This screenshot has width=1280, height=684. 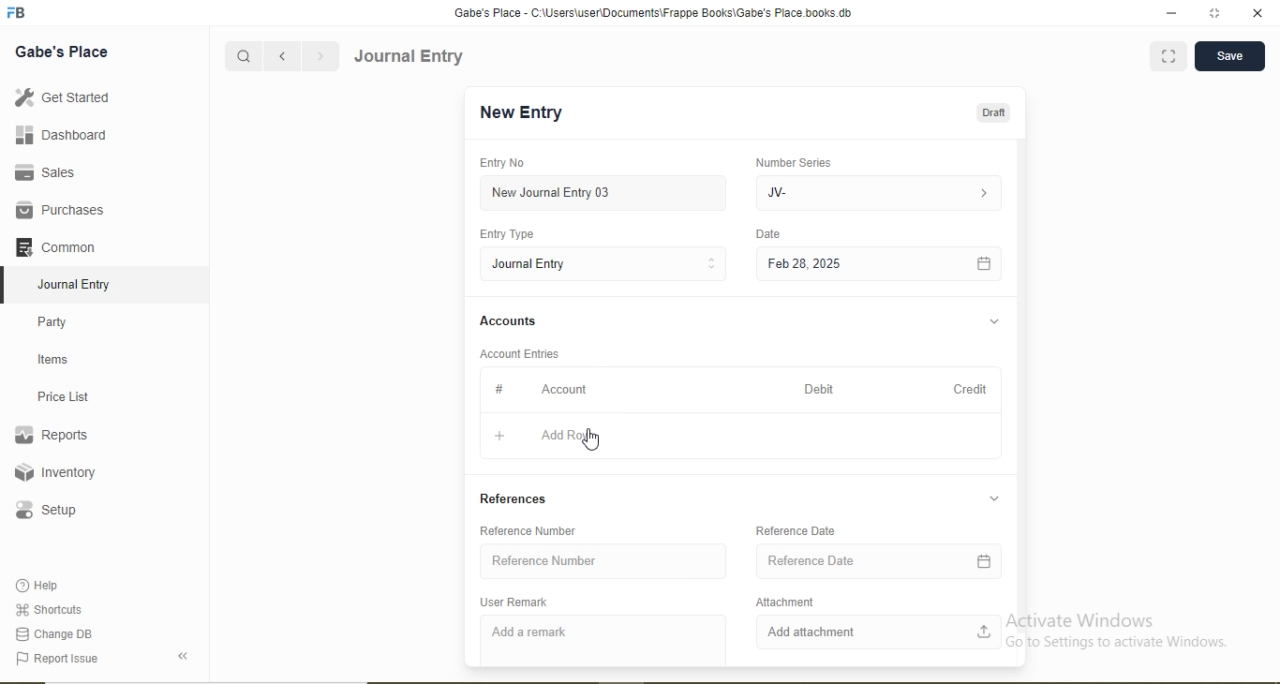 What do you see at coordinates (1215, 13) in the screenshot?
I see `full screen` at bounding box center [1215, 13].